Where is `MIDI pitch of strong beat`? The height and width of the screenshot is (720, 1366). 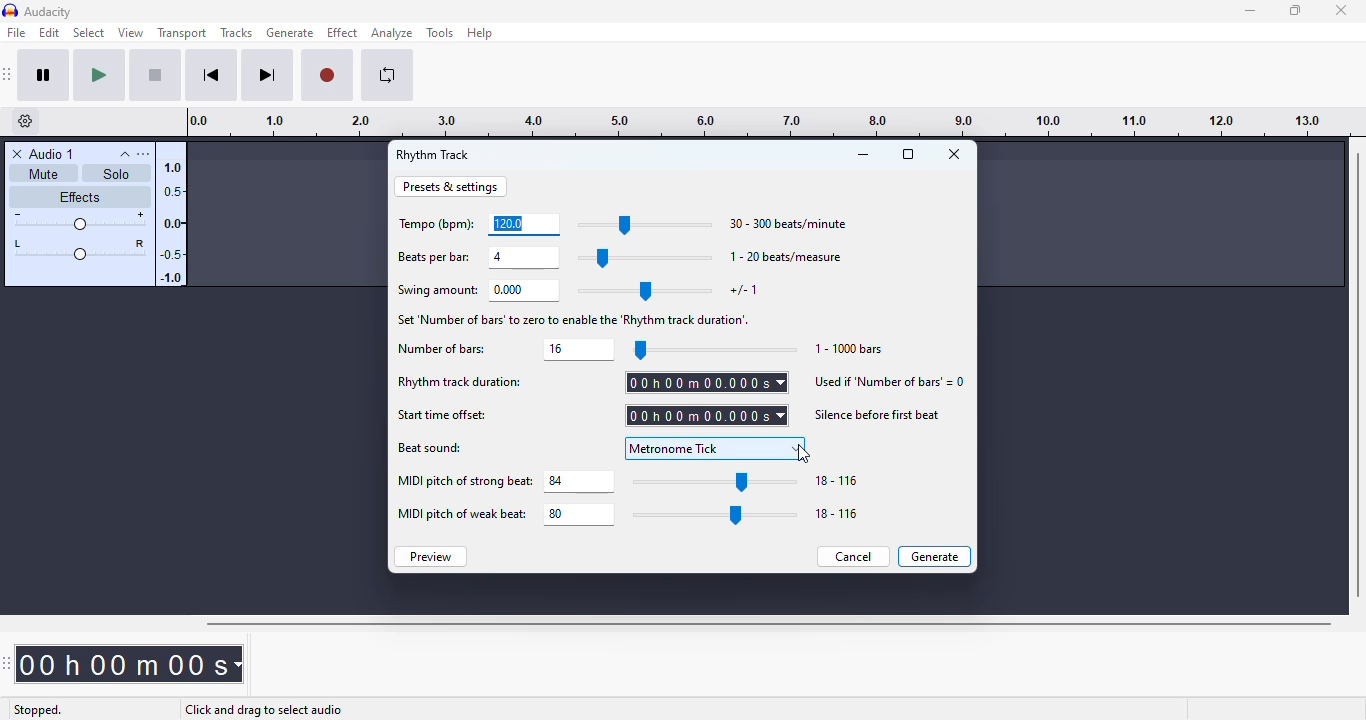 MIDI pitch of strong beat is located at coordinates (465, 481).